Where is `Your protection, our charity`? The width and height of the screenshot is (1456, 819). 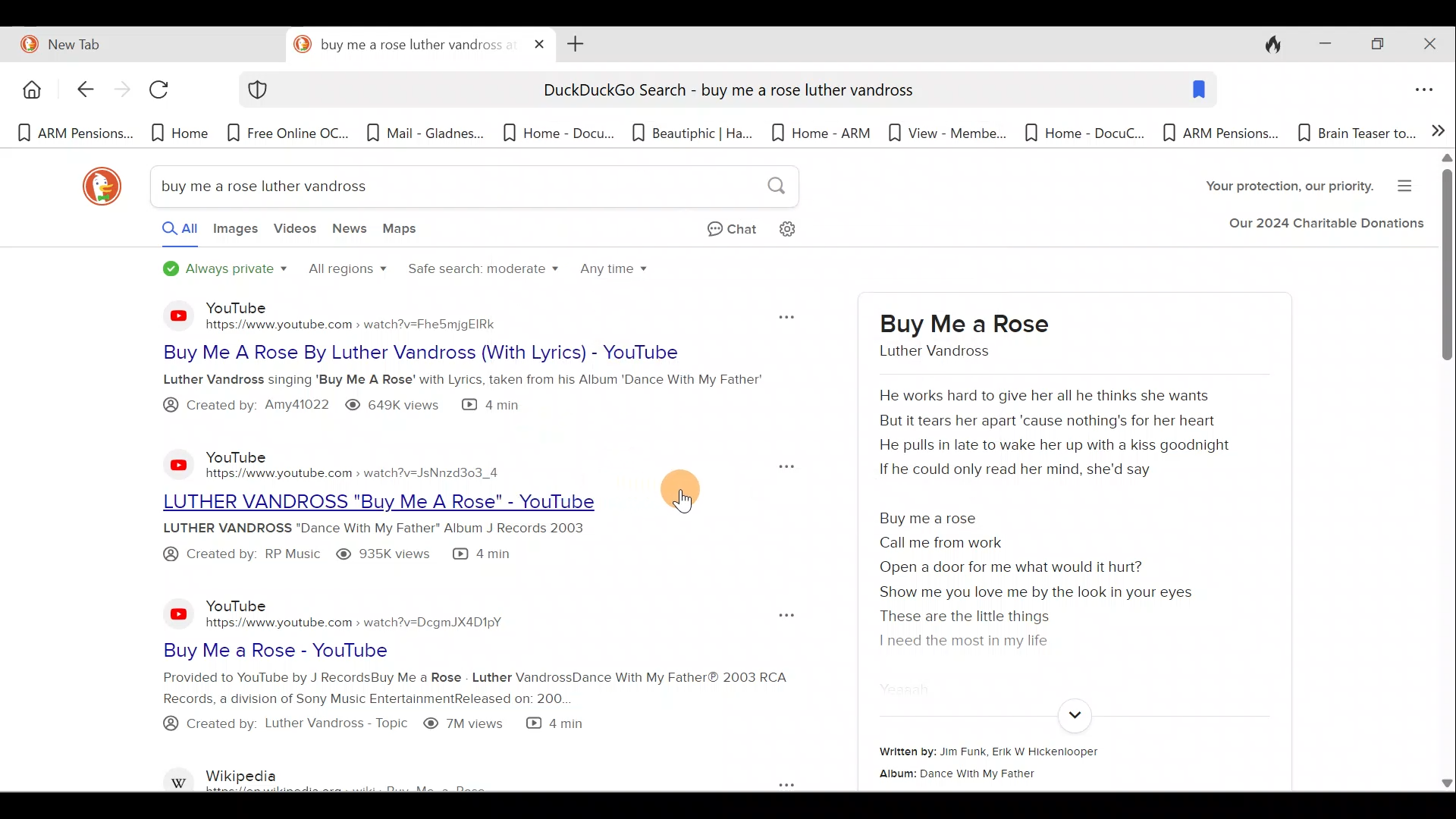
Your protection, our charity is located at coordinates (1276, 188).